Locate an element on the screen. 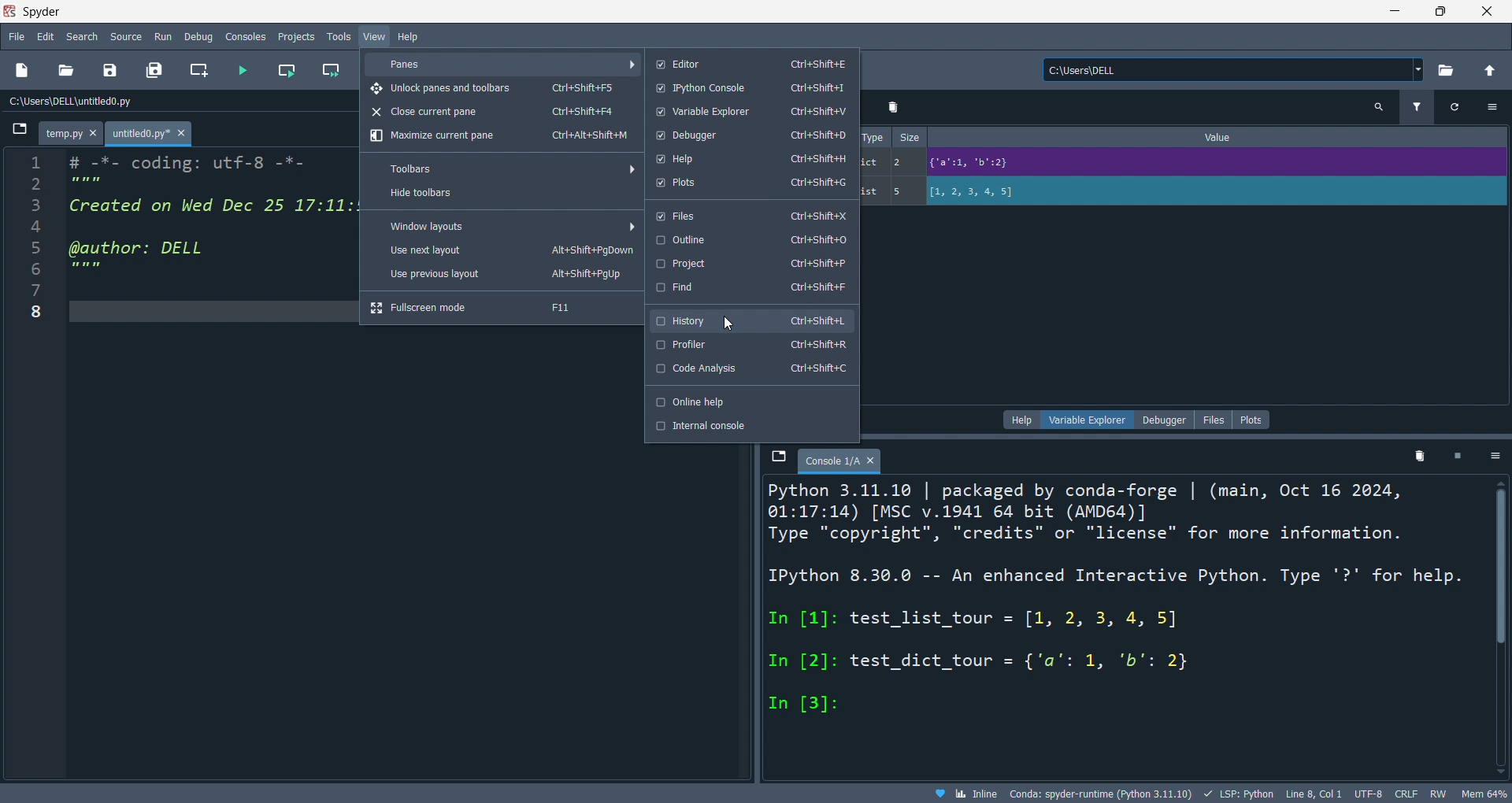  projects is located at coordinates (295, 35).